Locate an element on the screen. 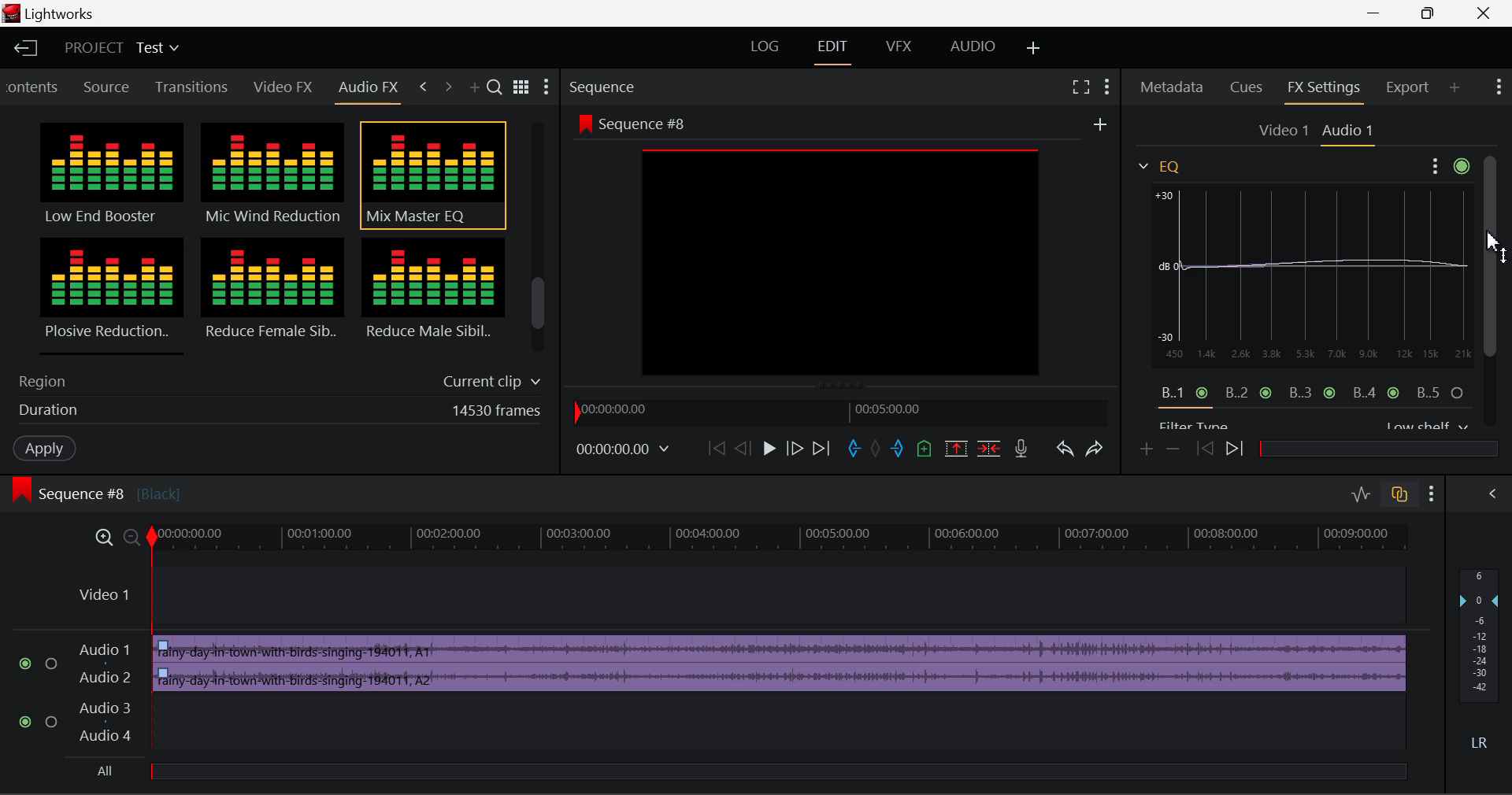 The height and width of the screenshot is (795, 1512). Mark Cue is located at coordinates (923, 449).